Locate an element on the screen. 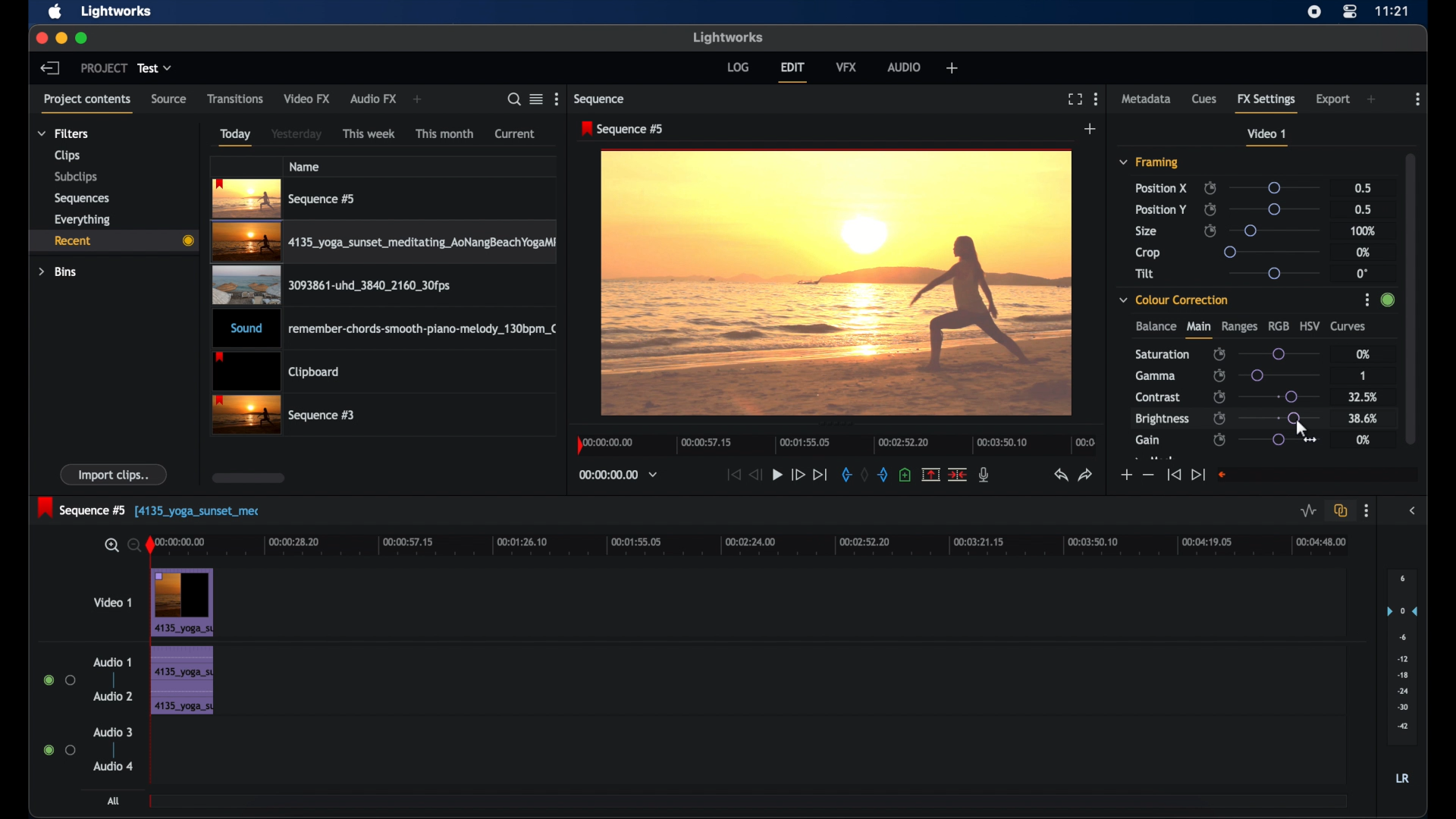 The image size is (1456, 819). moreoptions is located at coordinates (1097, 98).